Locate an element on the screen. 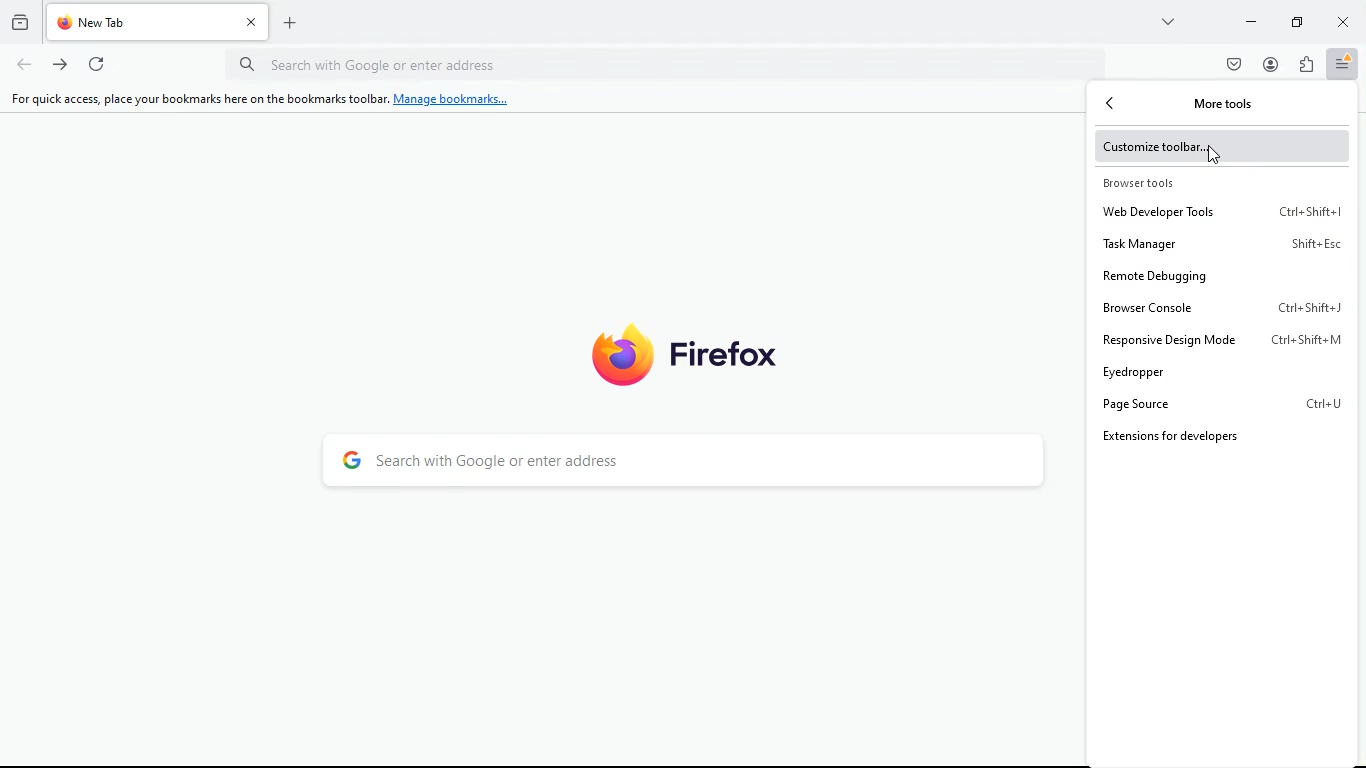  menu is located at coordinates (1344, 64).